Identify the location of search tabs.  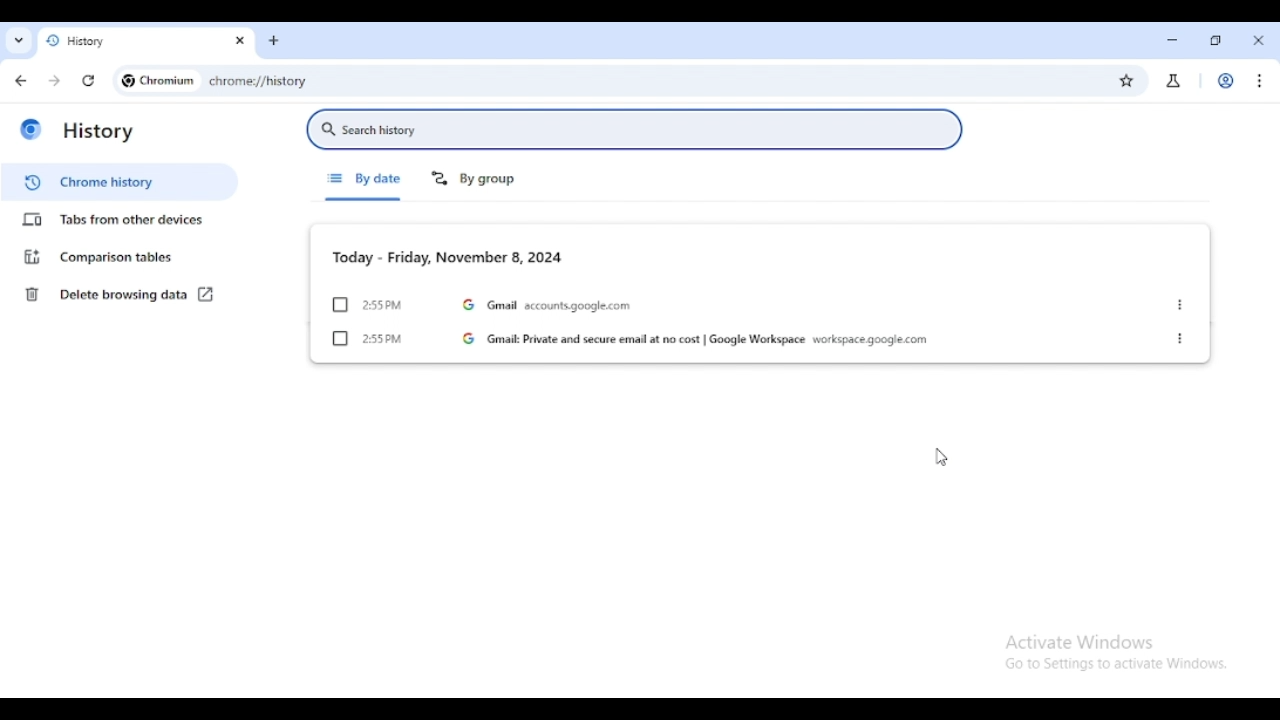
(19, 40).